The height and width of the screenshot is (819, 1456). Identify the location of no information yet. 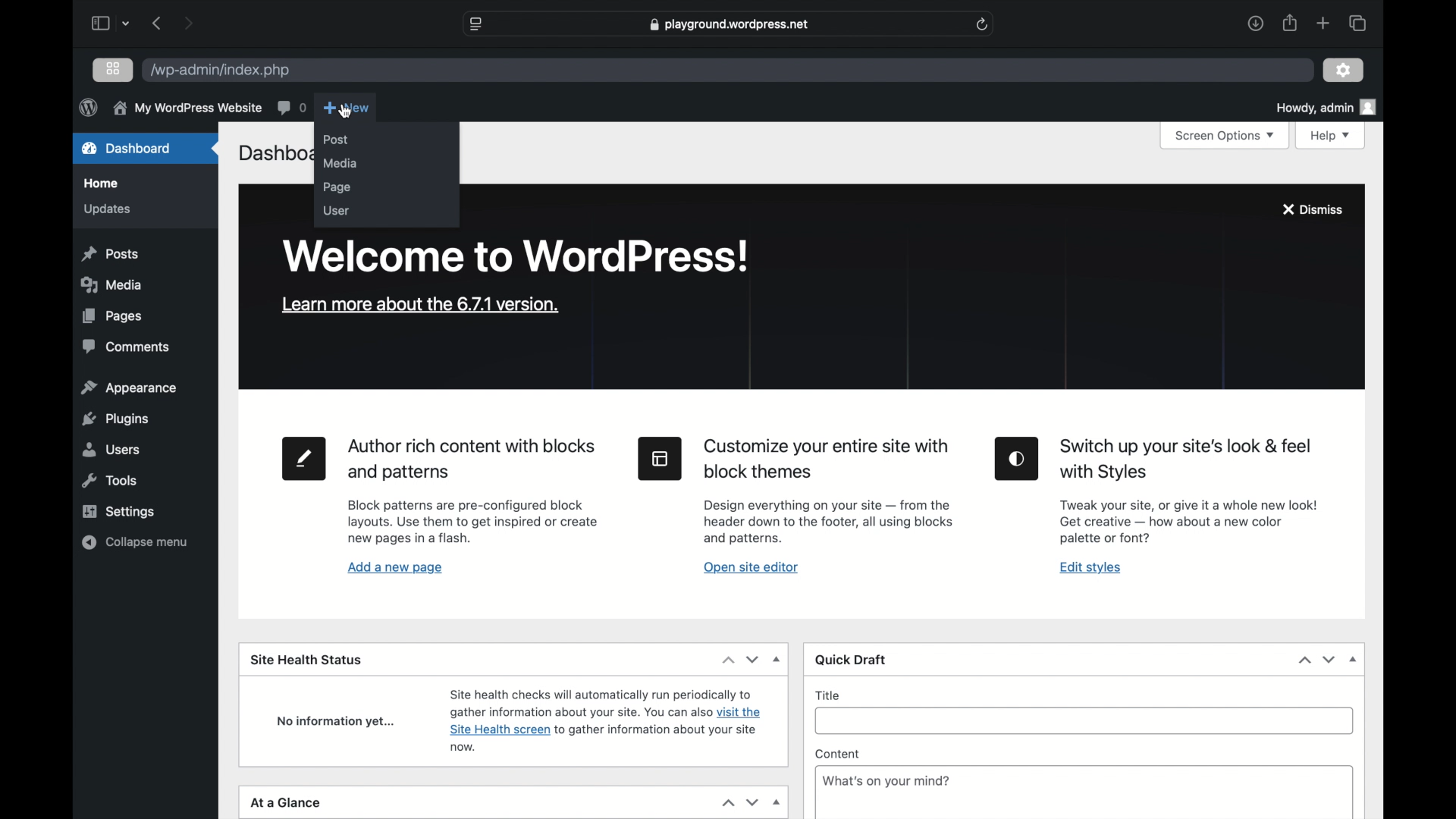
(336, 721).